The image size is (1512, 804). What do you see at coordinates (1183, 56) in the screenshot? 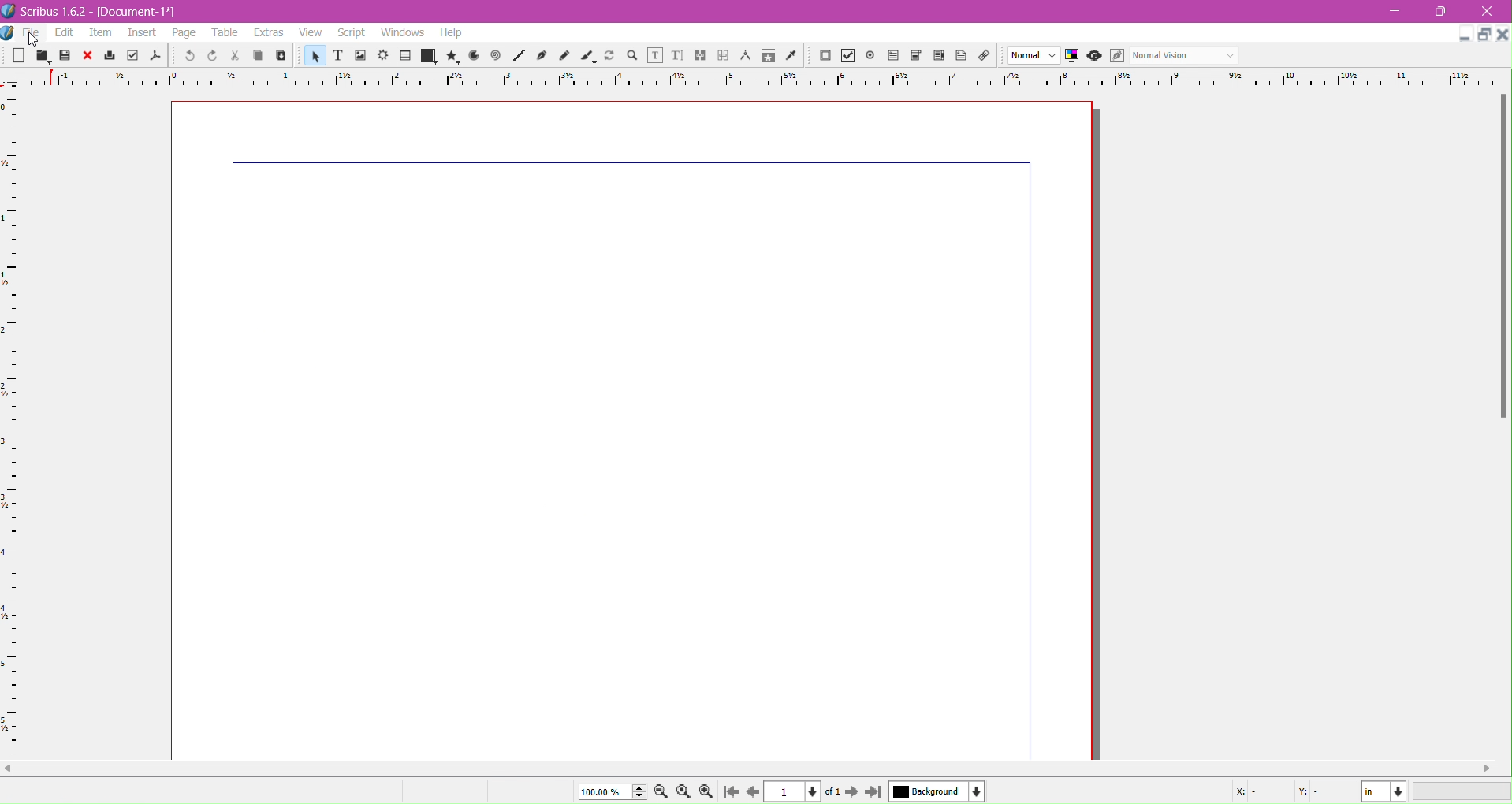
I see `visual appearance of the display` at bounding box center [1183, 56].